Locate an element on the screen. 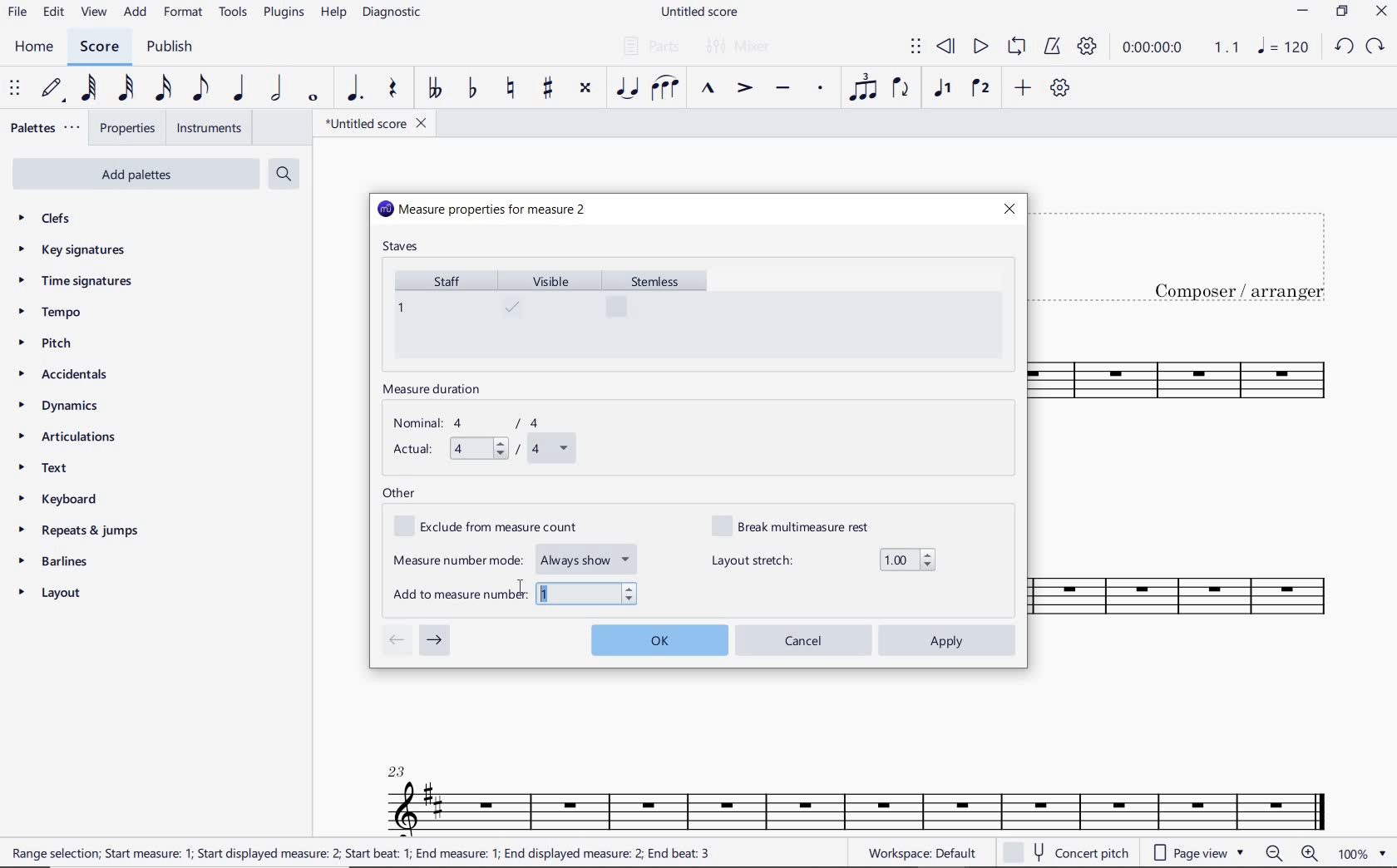 This screenshot has height=868, width=1397. QUARTER NOTE is located at coordinates (239, 89).